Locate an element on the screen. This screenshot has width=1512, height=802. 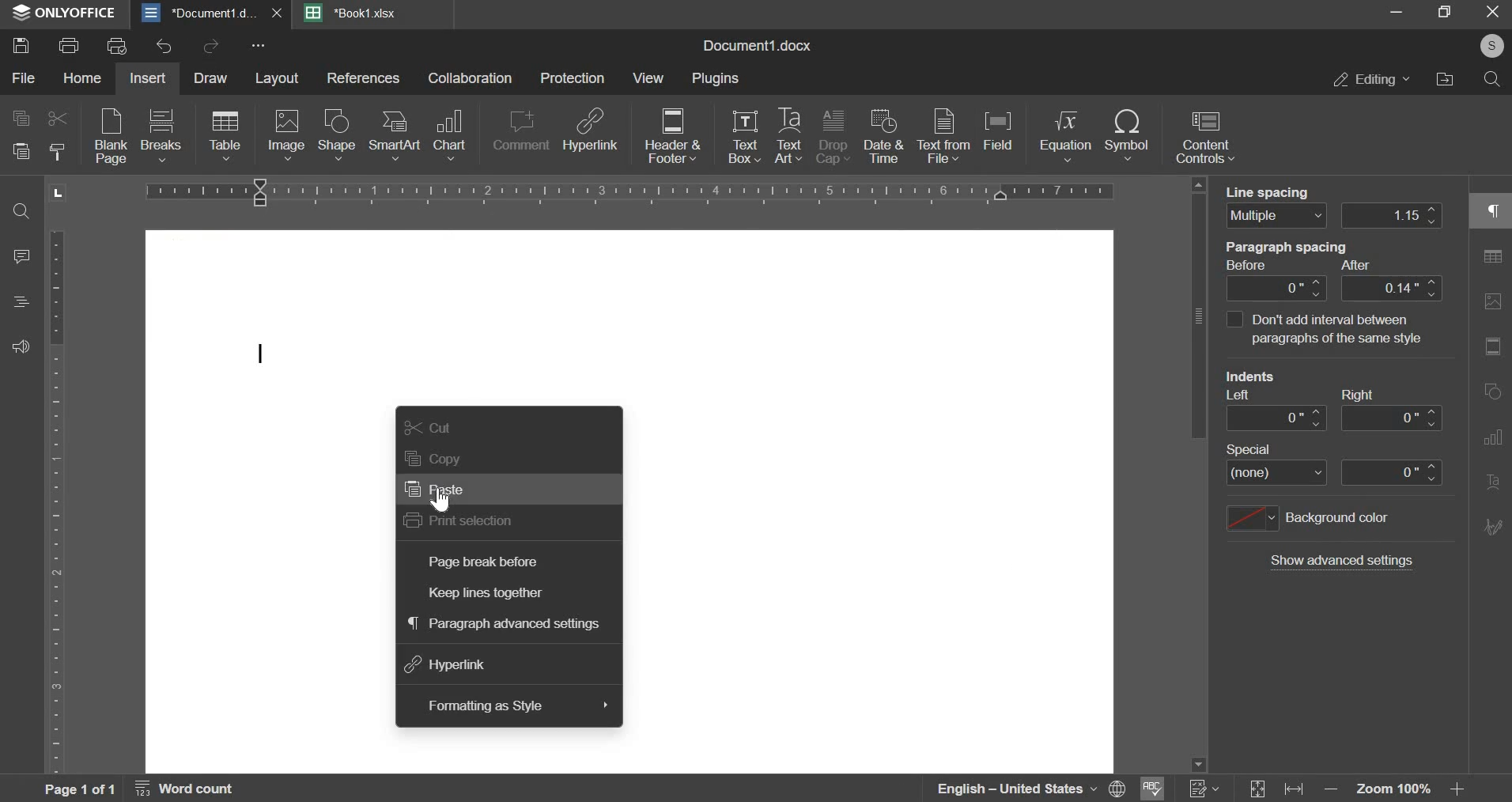
spreadsheet is located at coordinates (353, 13).